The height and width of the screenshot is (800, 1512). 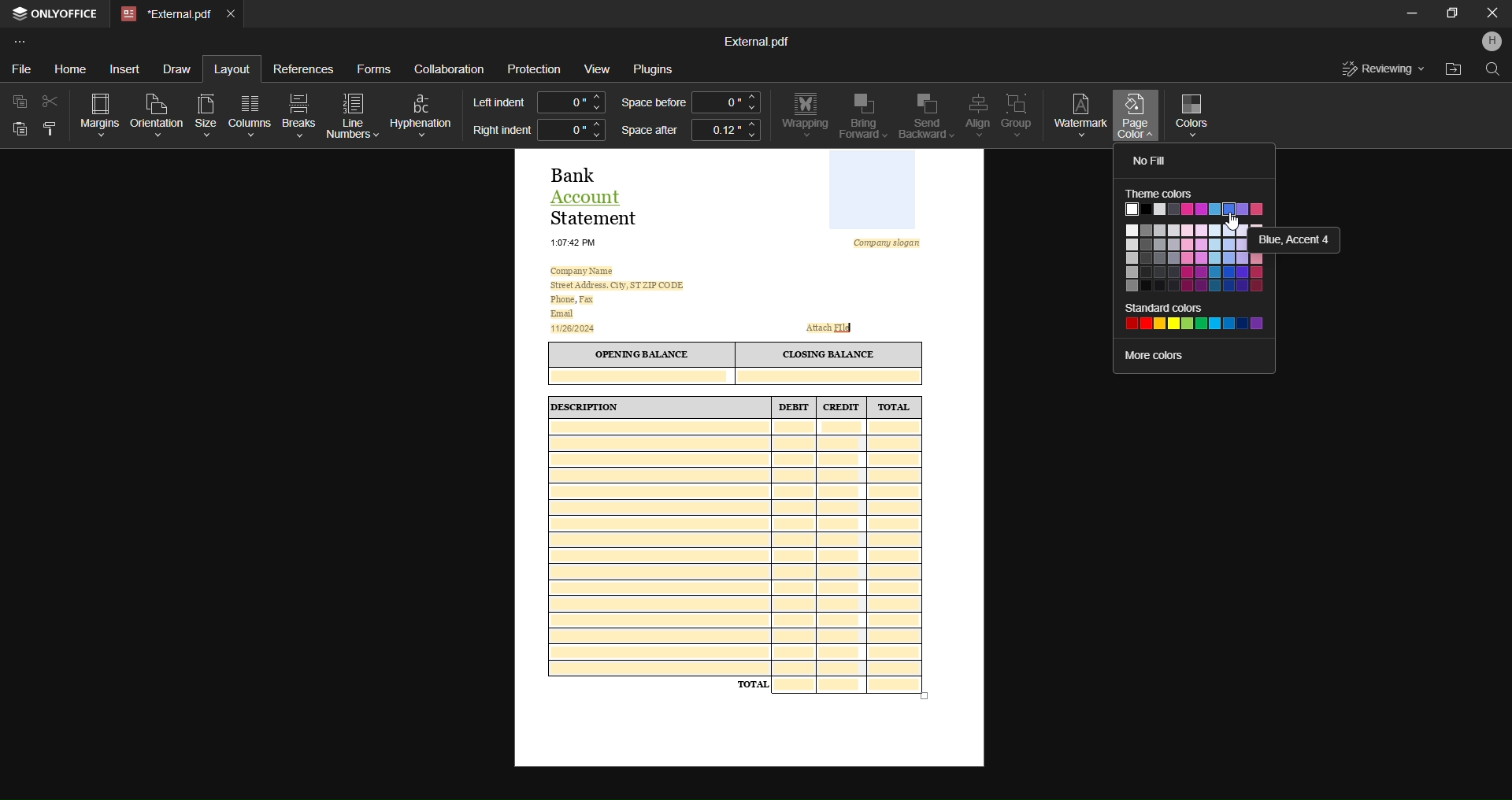 What do you see at coordinates (354, 115) in the screenshot?
I see `Line Numbers` at bounding box center [354, 115].